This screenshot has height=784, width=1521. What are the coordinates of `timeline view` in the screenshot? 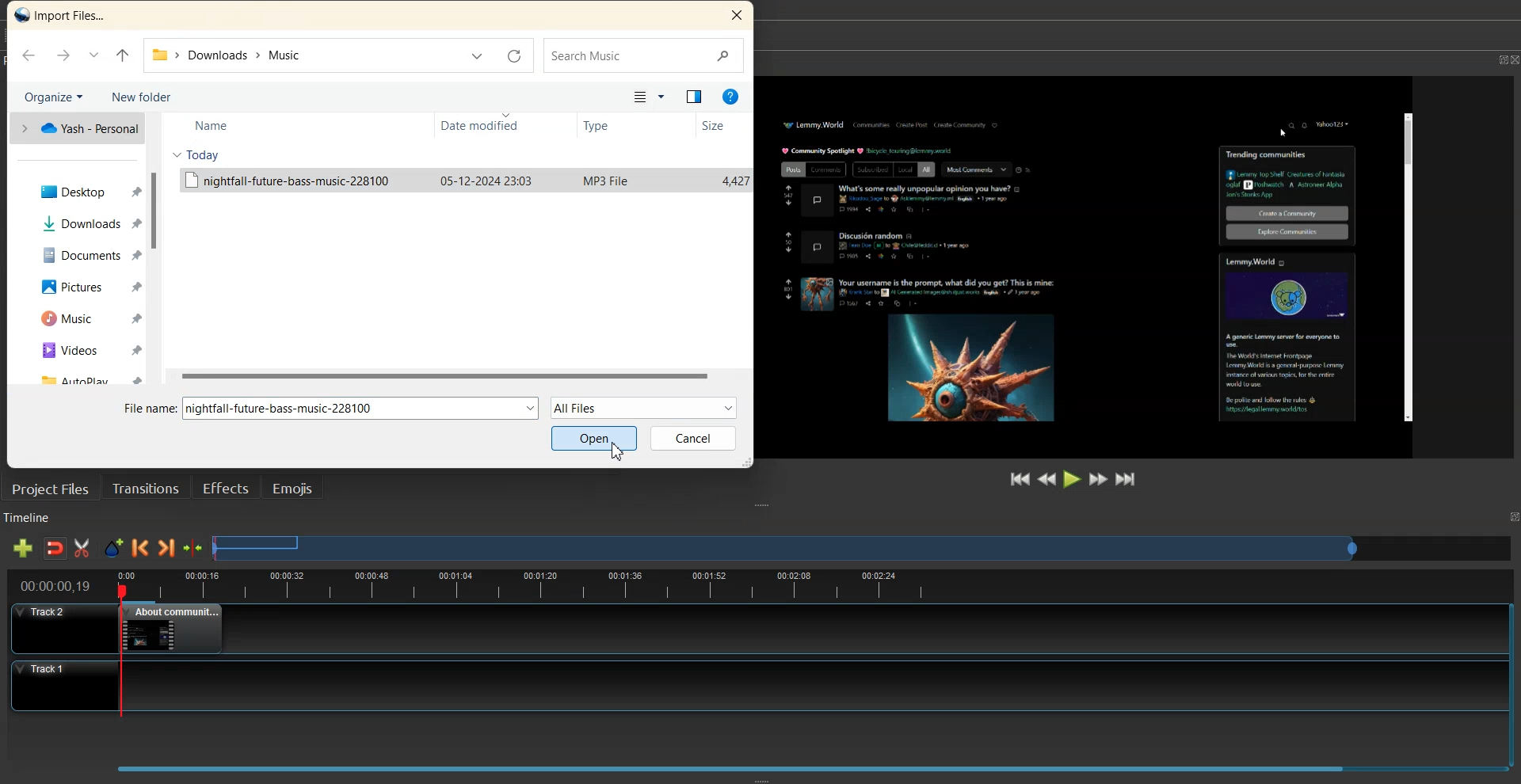 It's located at (821, 587).